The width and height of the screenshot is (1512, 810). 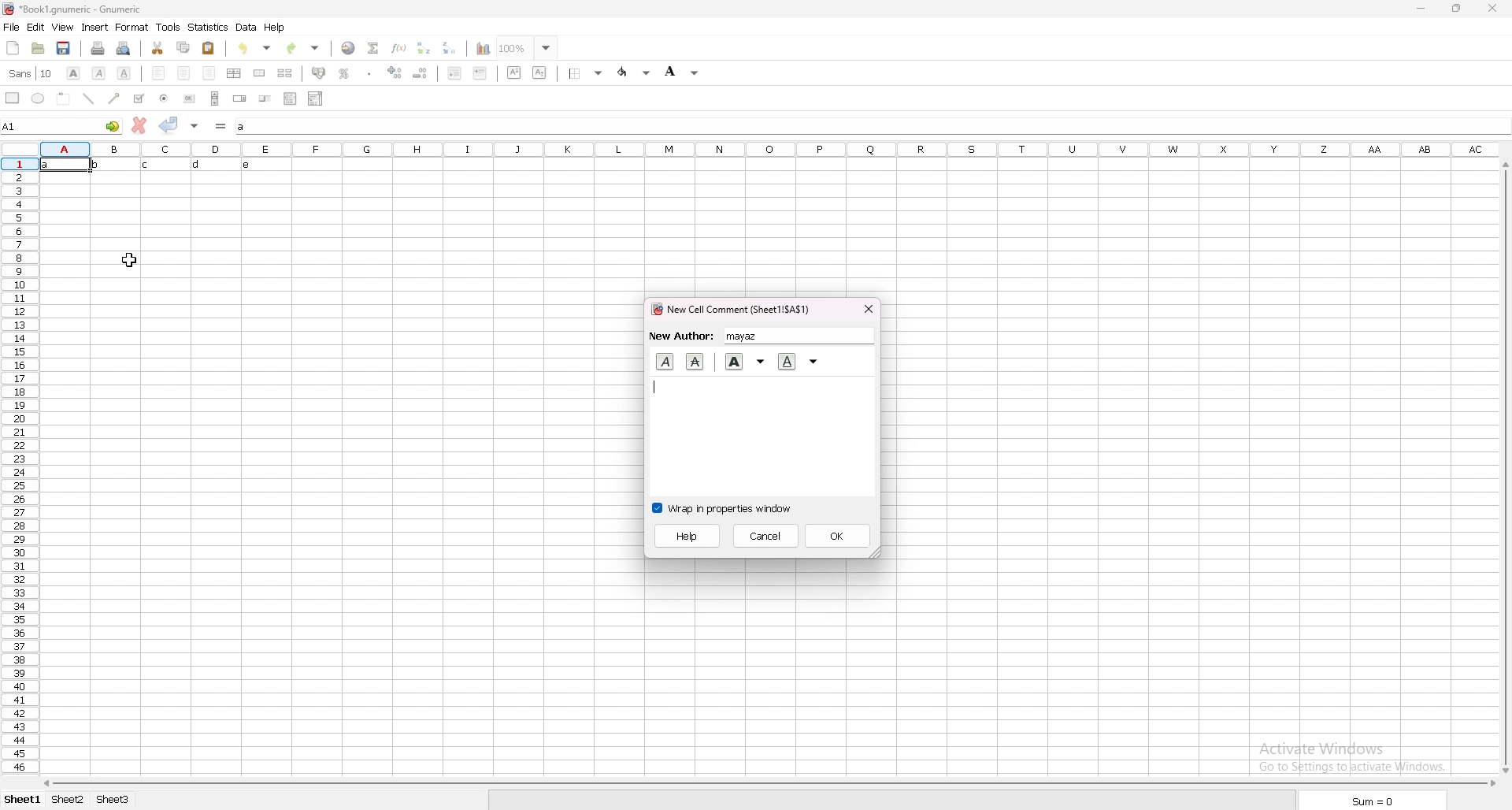 What do you see at coordinates (276, 28) in the screenshot?
I see `help` at bounding box center [276, 28].